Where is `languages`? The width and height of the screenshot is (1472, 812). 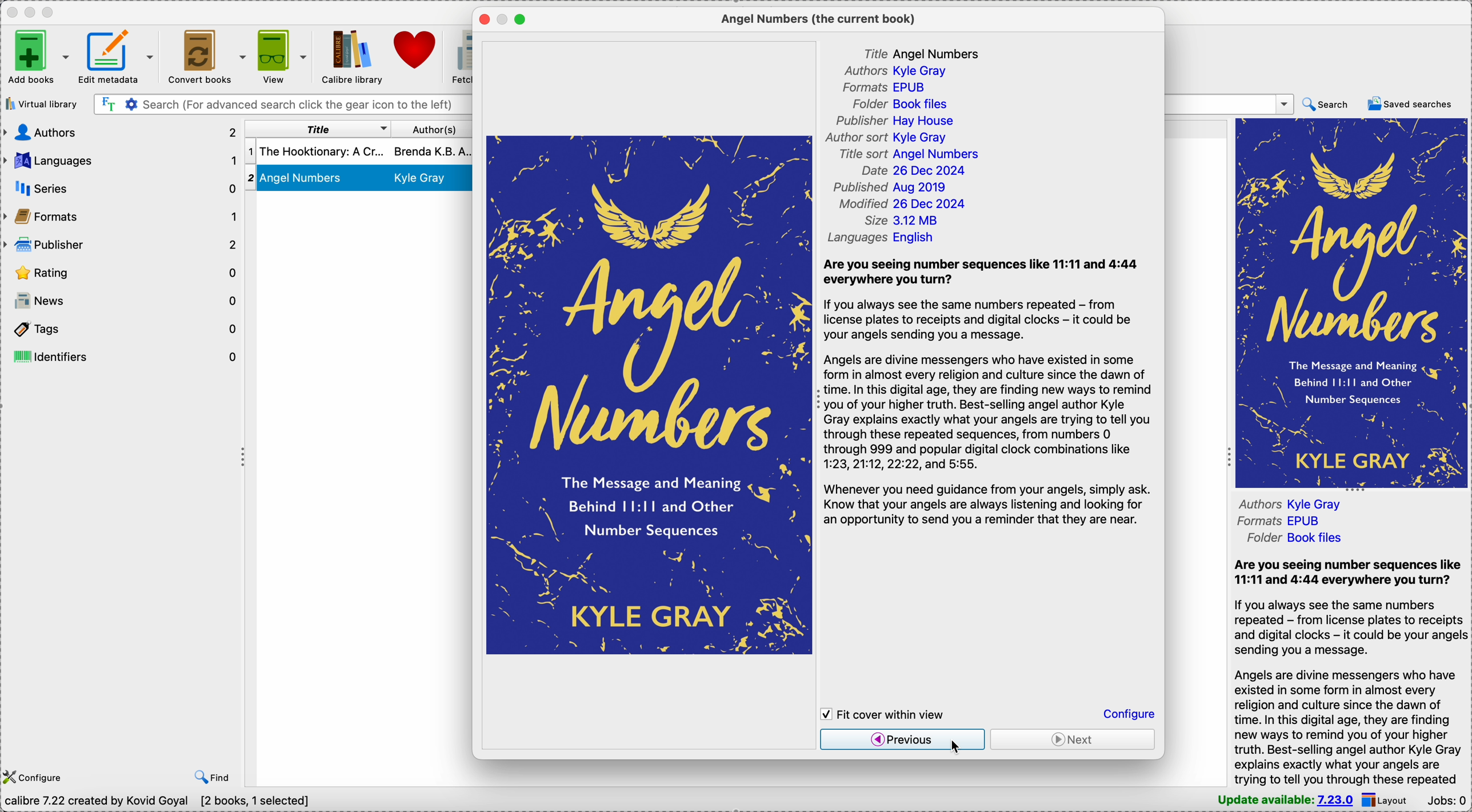 languages is located at coordinates (121, 161).